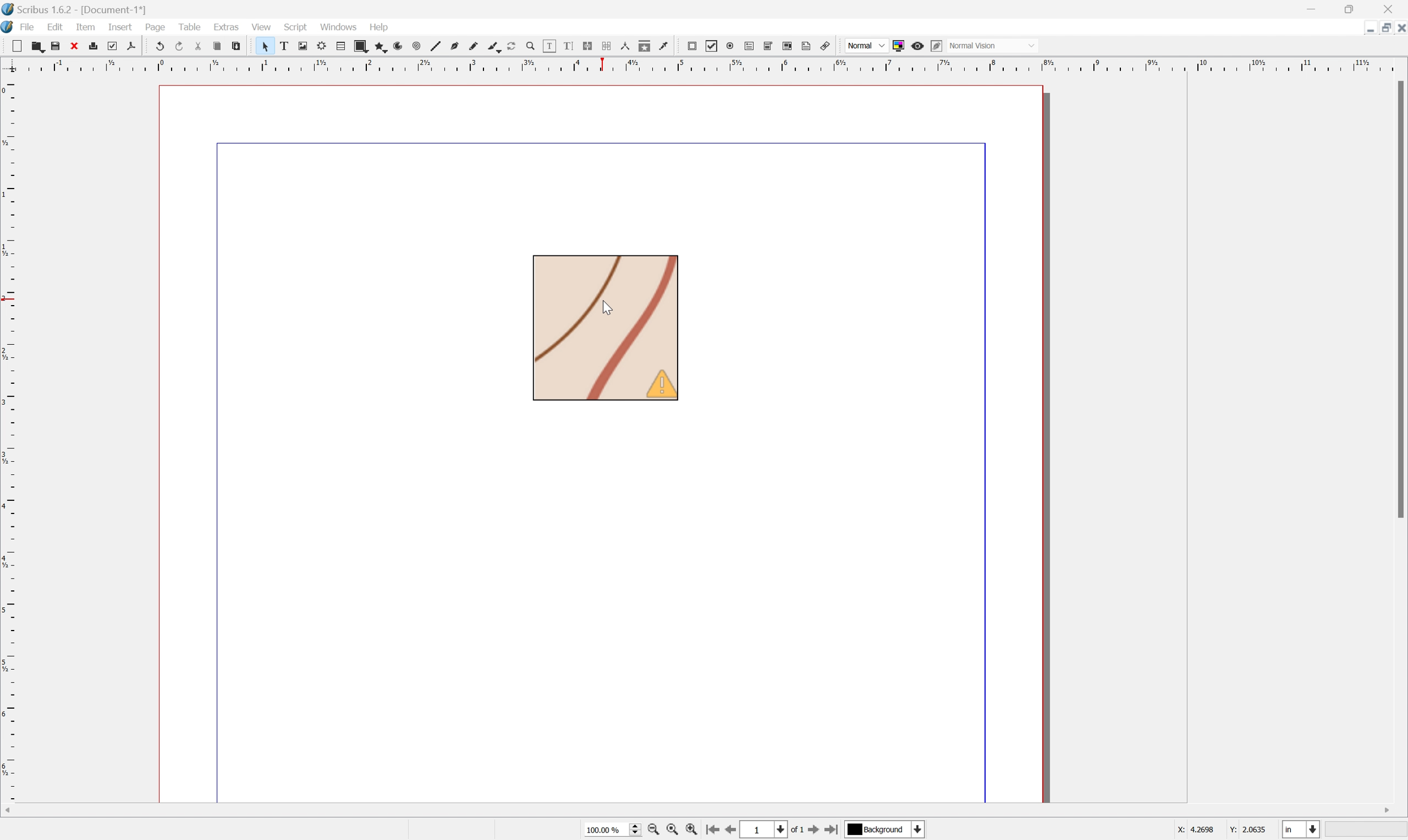  I want to click on PDF text field, so click(751, 44).